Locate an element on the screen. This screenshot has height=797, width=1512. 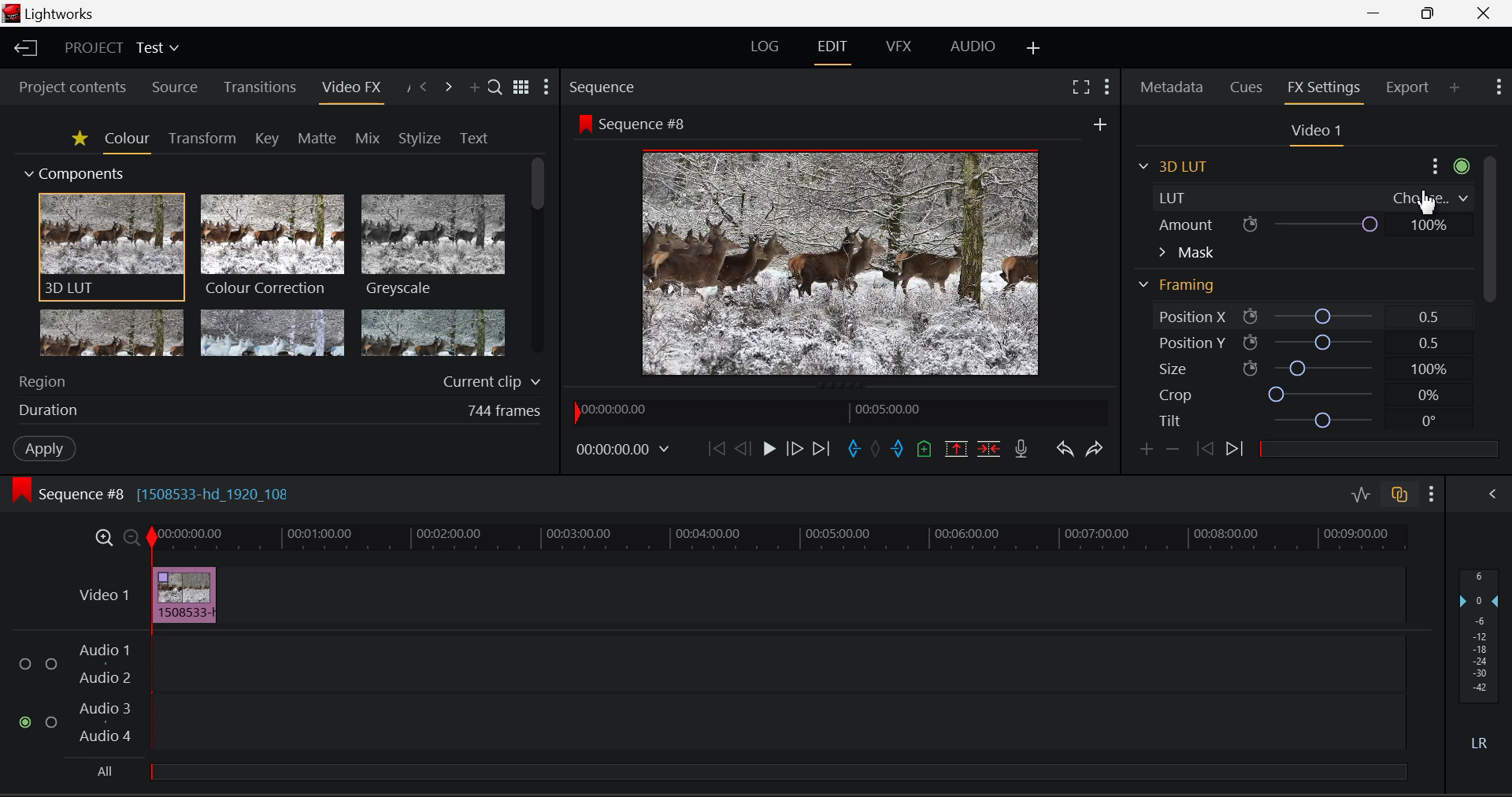
Region is located at coordinates (277, 380).